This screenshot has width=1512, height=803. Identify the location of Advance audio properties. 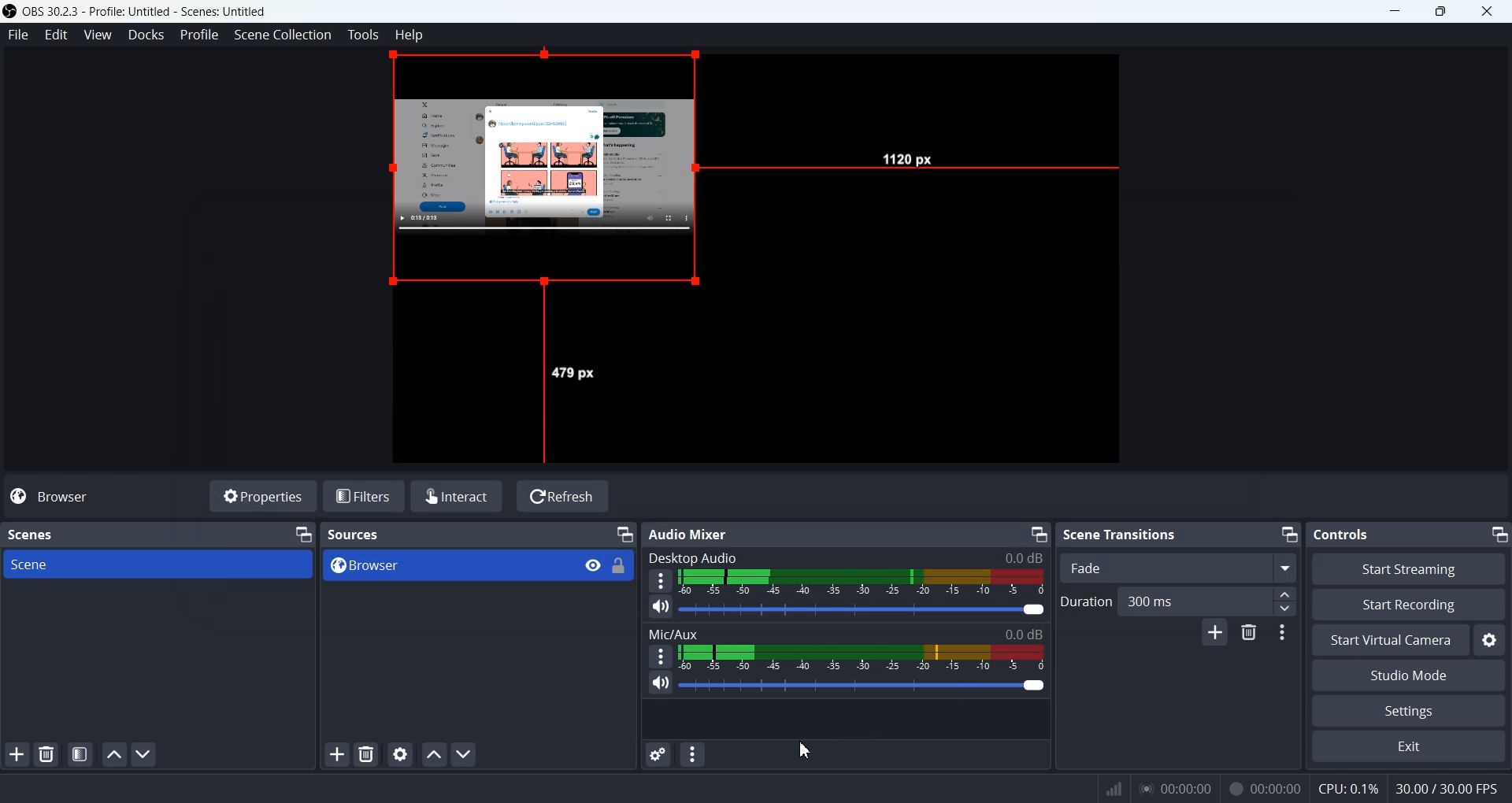
(656, 754).